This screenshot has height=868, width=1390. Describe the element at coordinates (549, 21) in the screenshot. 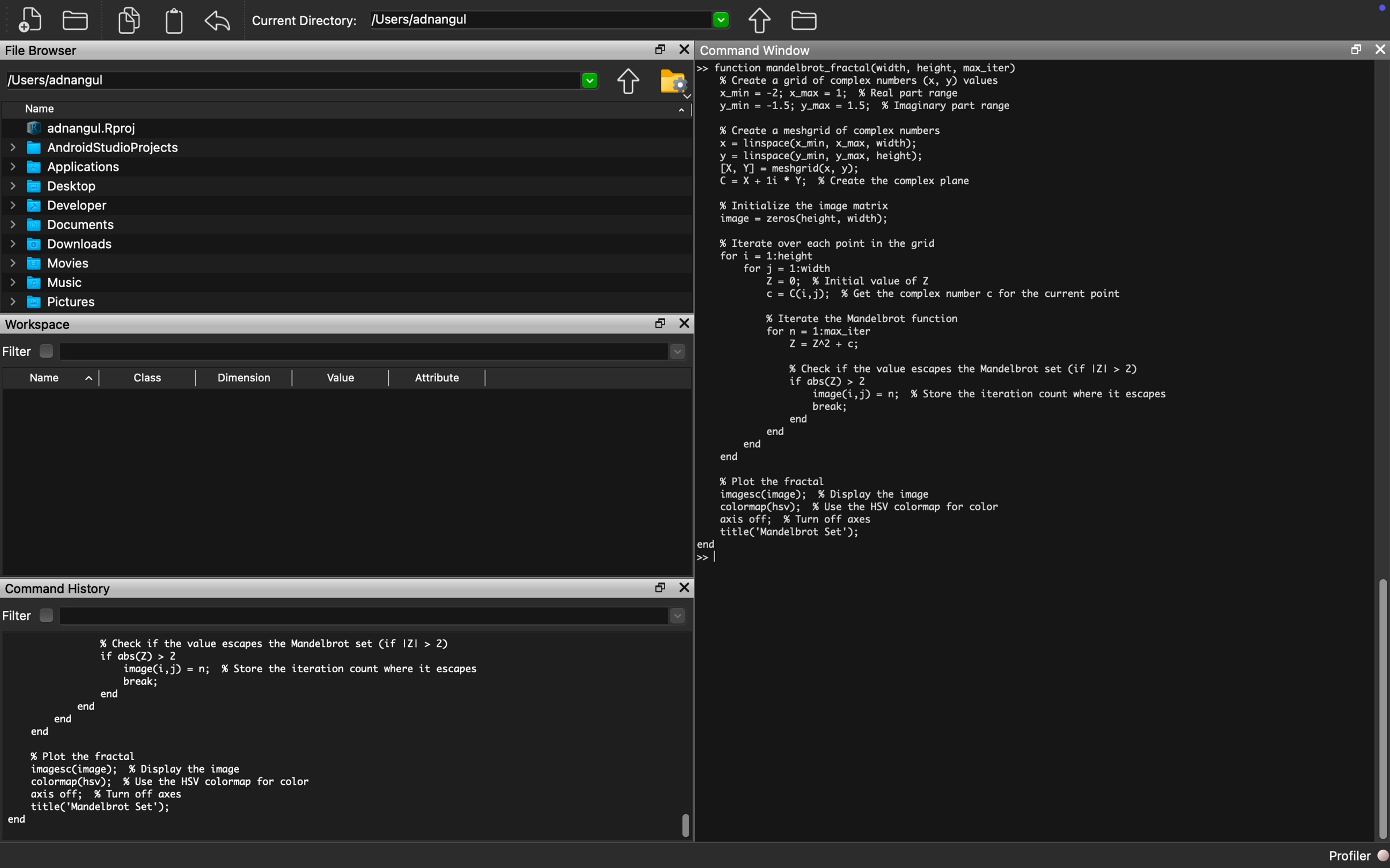

I see `/Users/adnangul ` at that location.